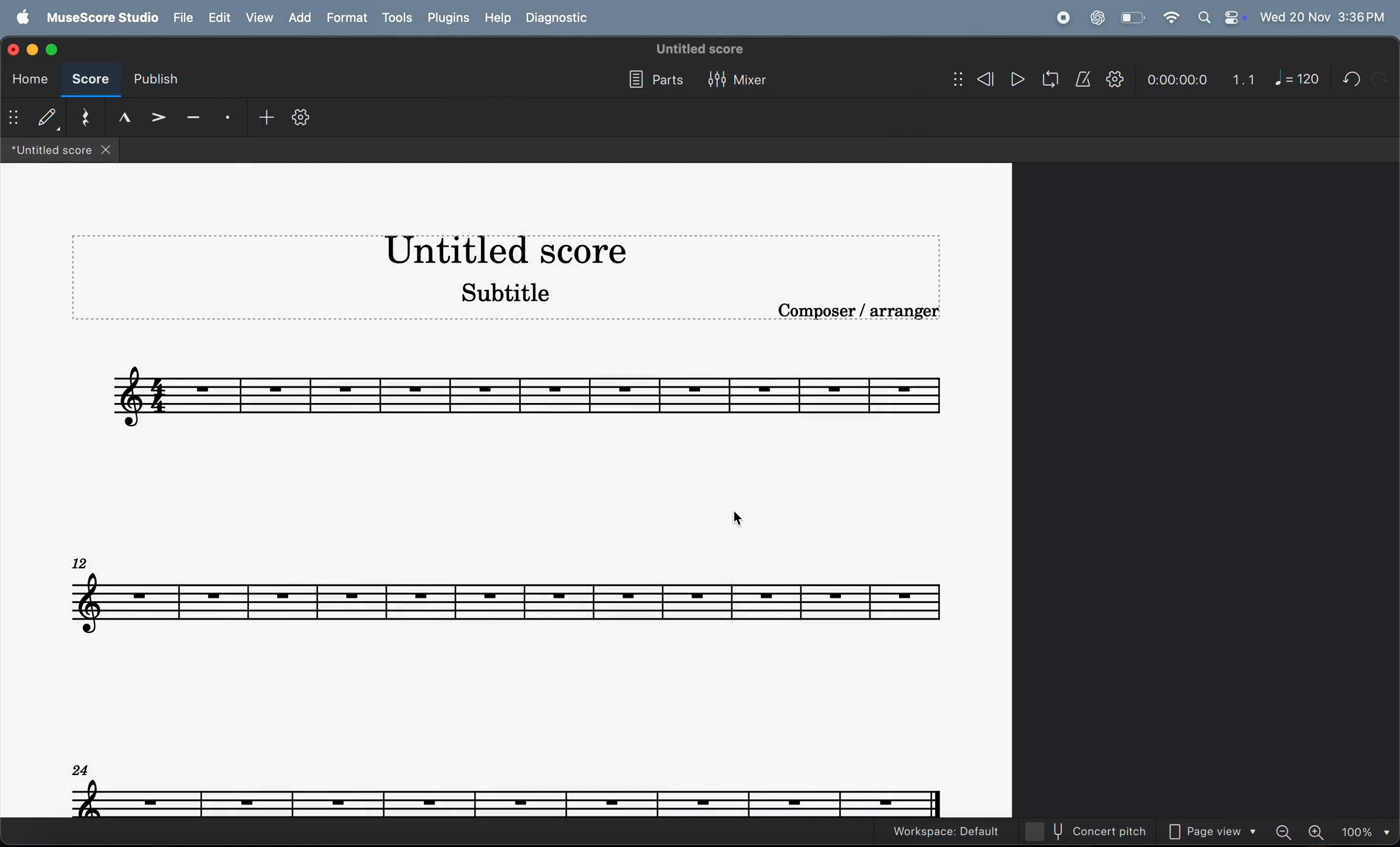 This screenshot has width=1400, height=847. I want to click on apple widgets, so click(1221, 18).